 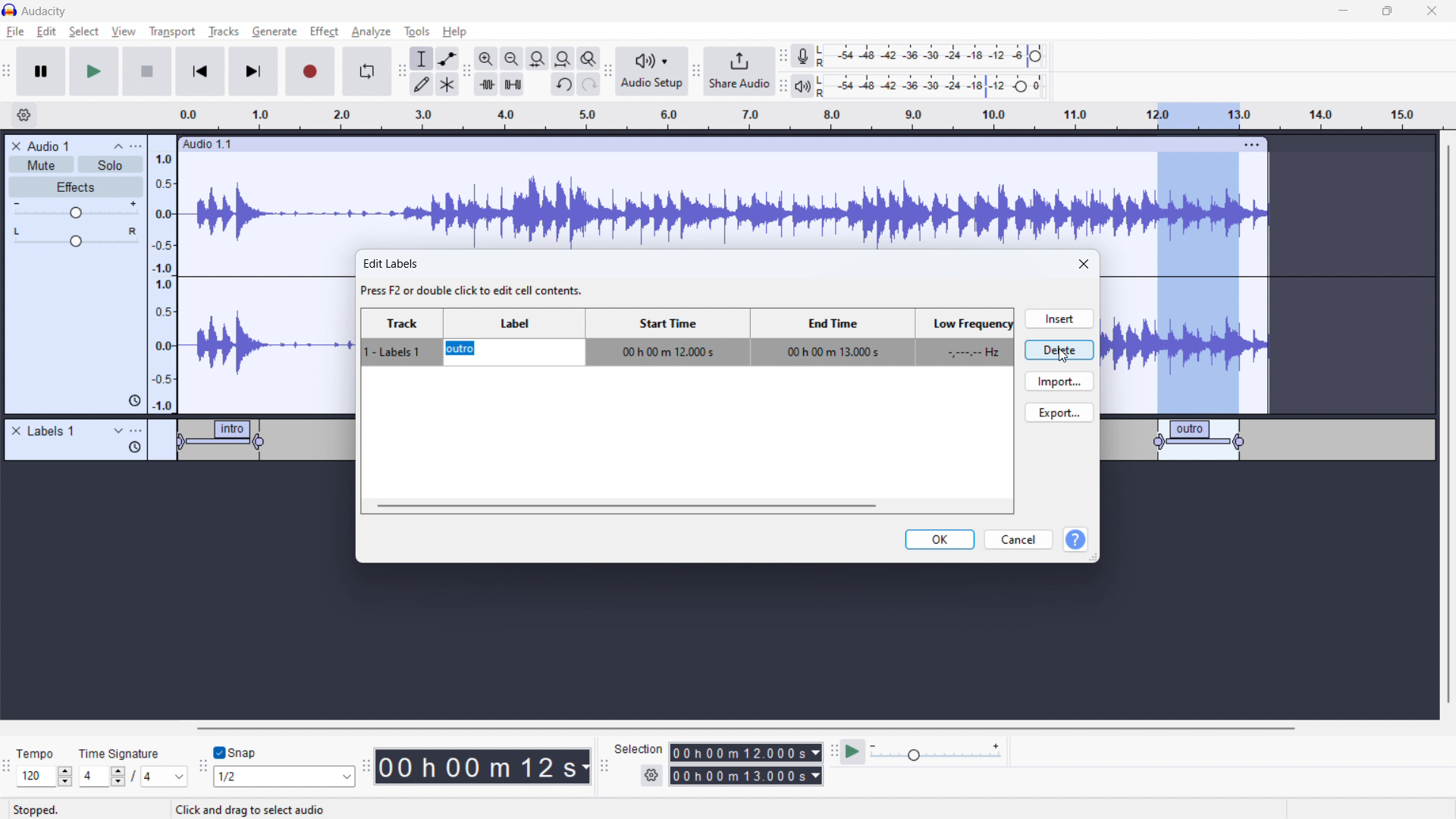 I want to click on undo, so click(x=589, y=84).